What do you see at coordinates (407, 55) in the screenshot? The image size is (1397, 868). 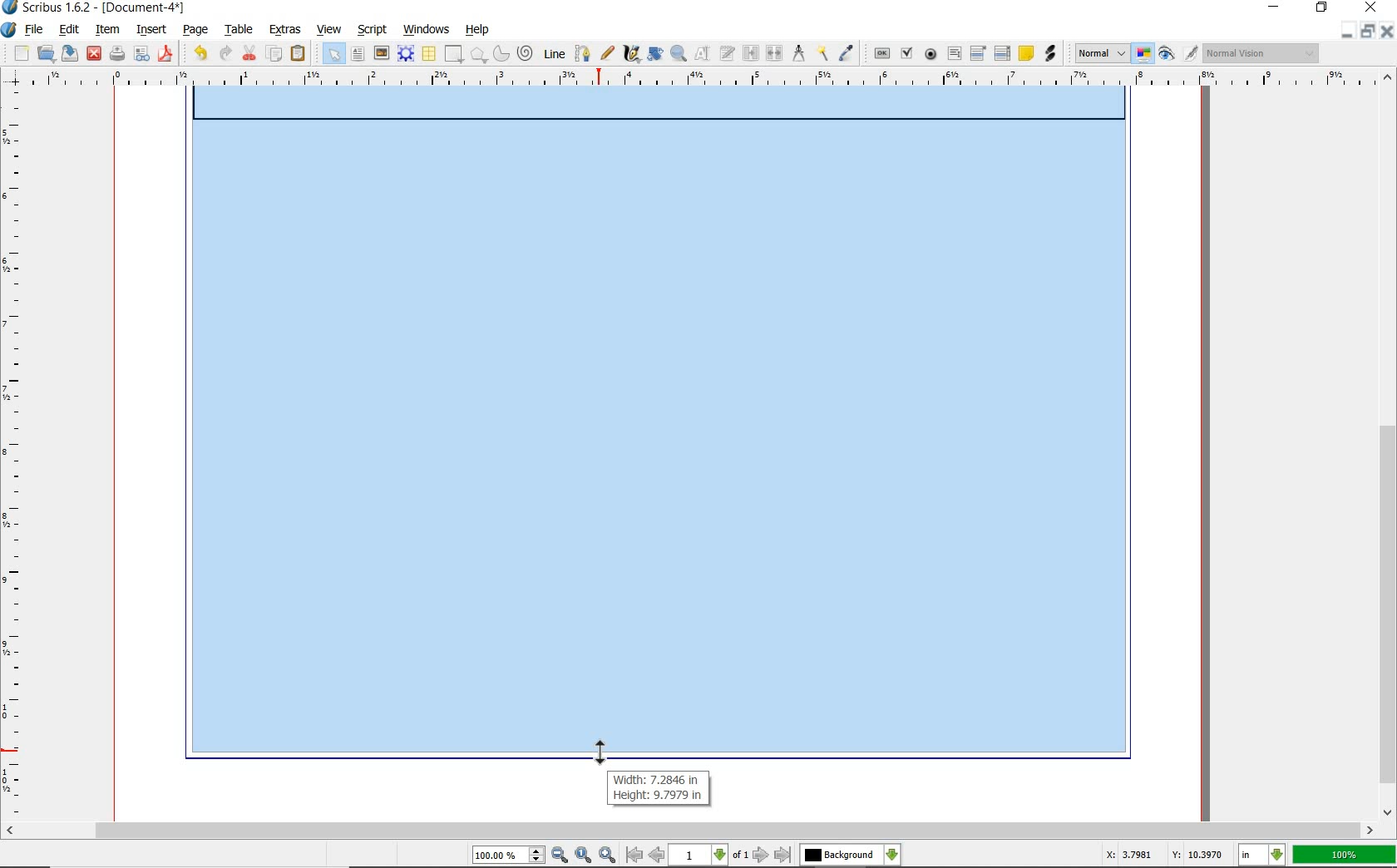 I see `render frame` at bounding box center [407, 55].